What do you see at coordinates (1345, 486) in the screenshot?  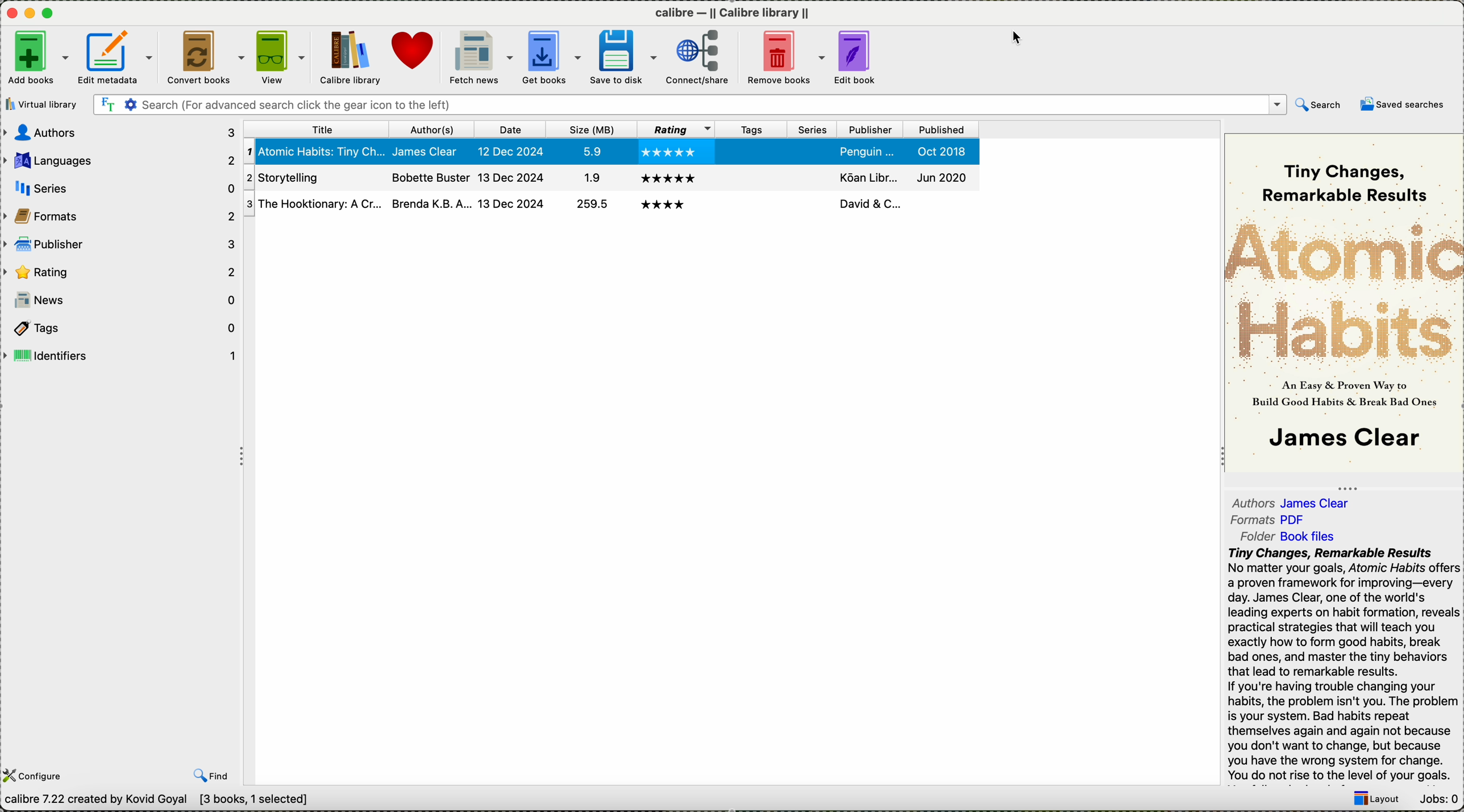 I see `collapse` at bounding box center [1345, 486].